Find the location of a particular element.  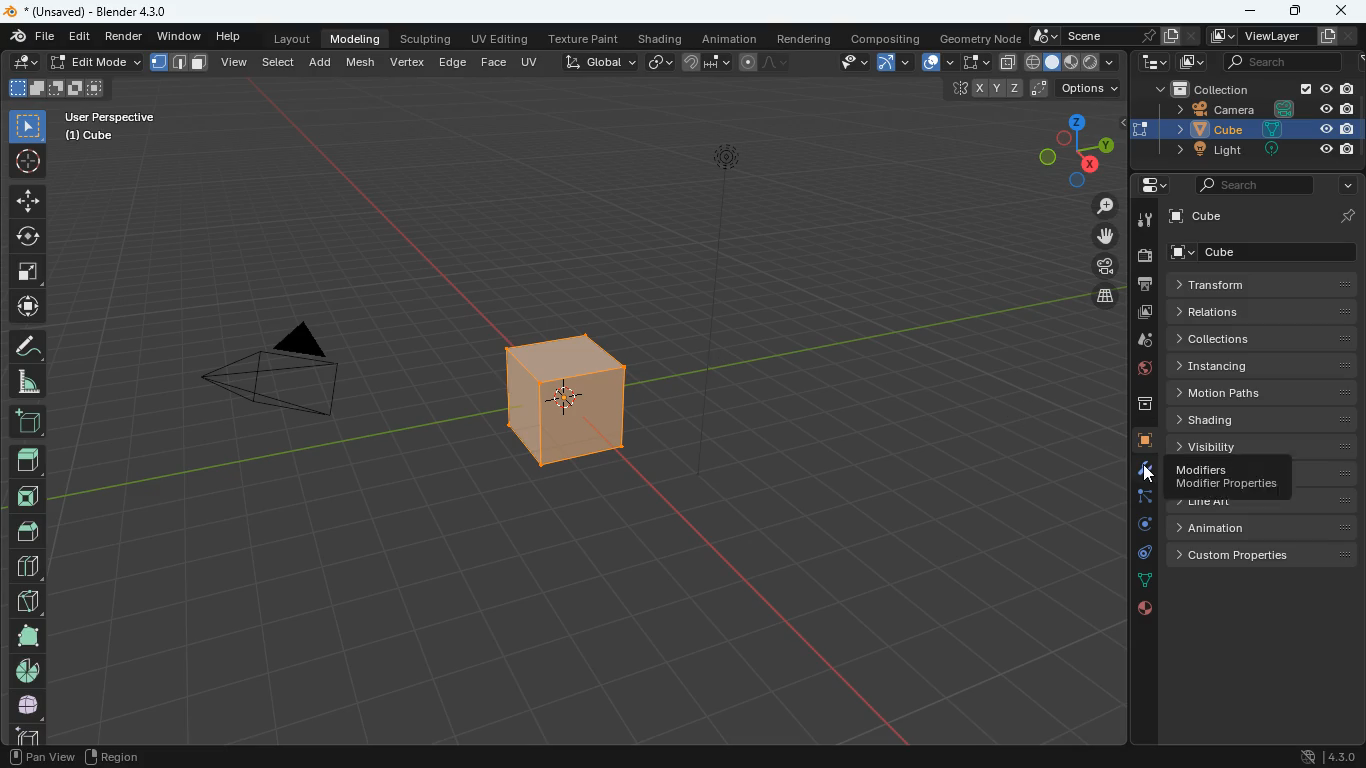

tecch is located at coordinates (1152, 62).